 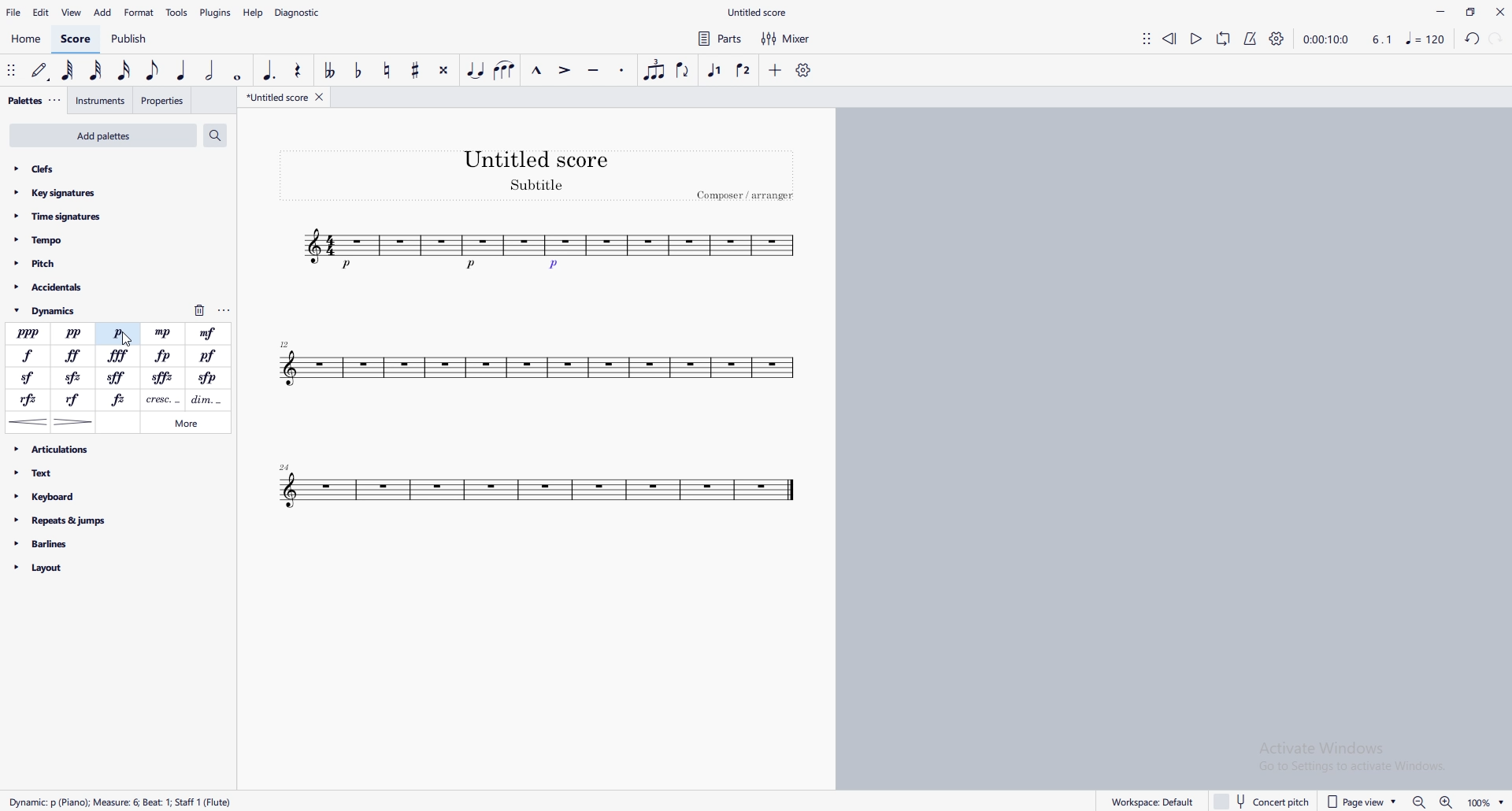 What do you see at coordinates (118, 356) in the screenshot?
I see `fortessissimo` at bounding box center [118, 356].